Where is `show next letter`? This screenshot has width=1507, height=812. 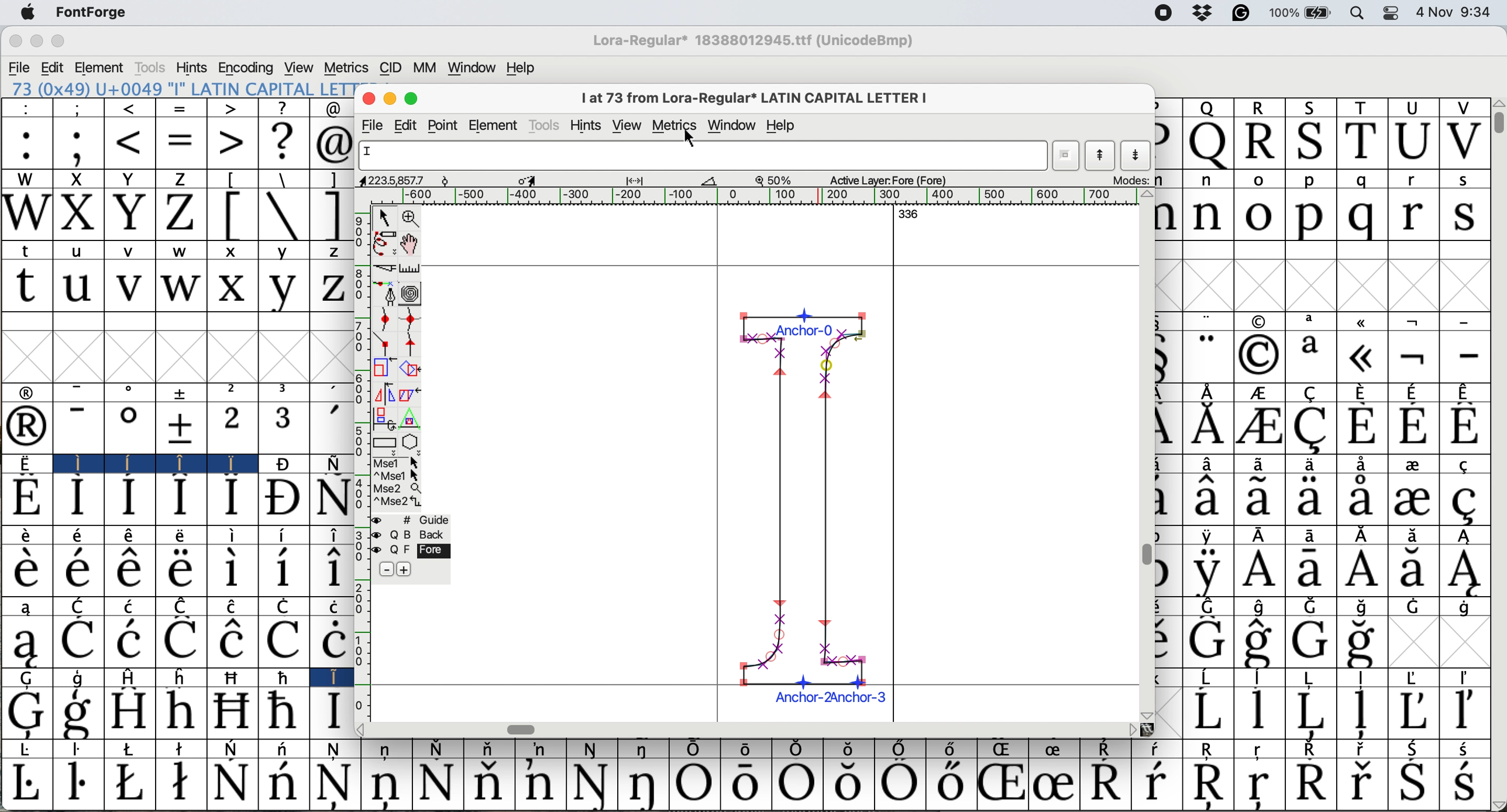 show next letter is located at coordinates (1138, 156).